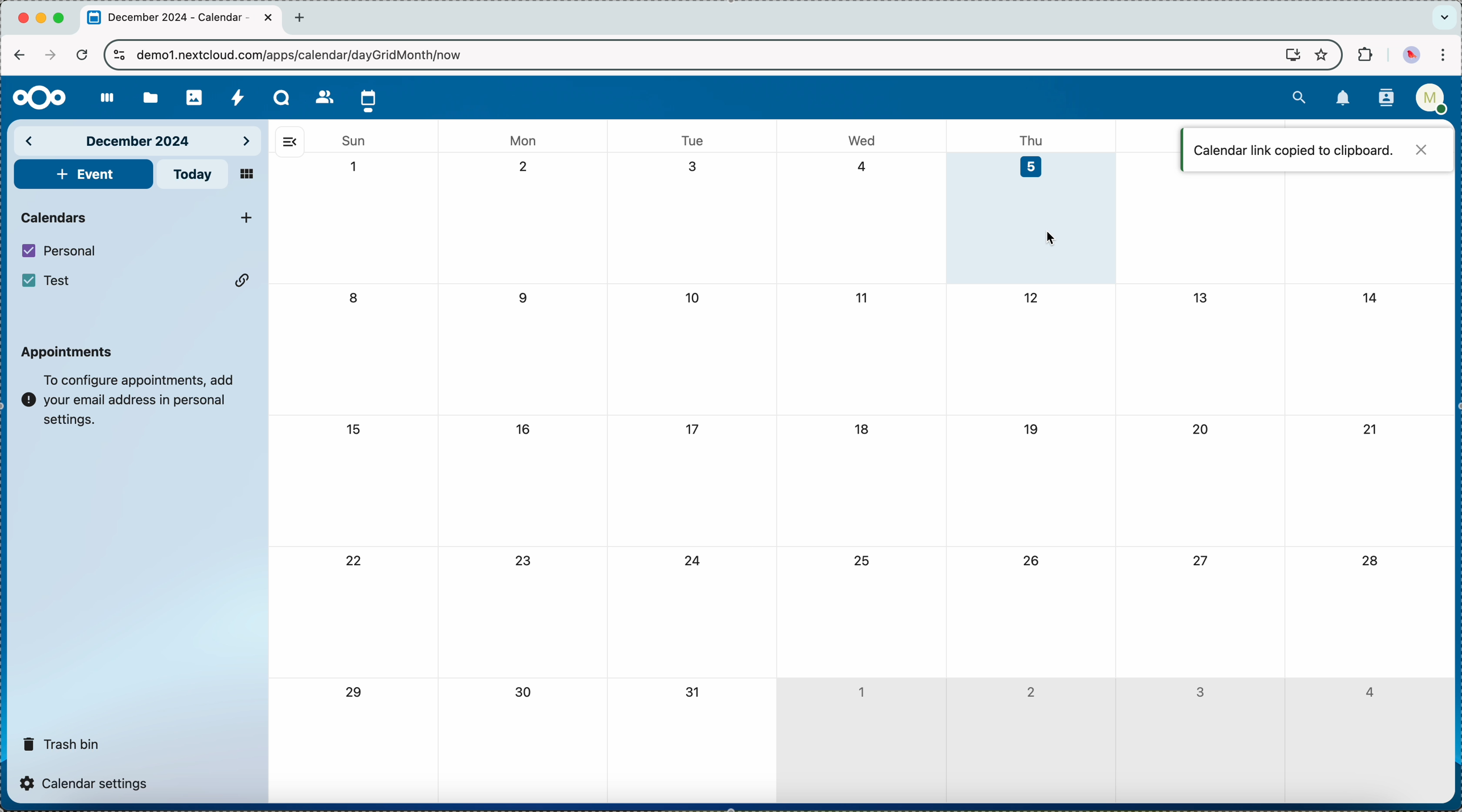 The height and width of the screenshot is (812, 1462). I want to click on 11, so click(860, 297).